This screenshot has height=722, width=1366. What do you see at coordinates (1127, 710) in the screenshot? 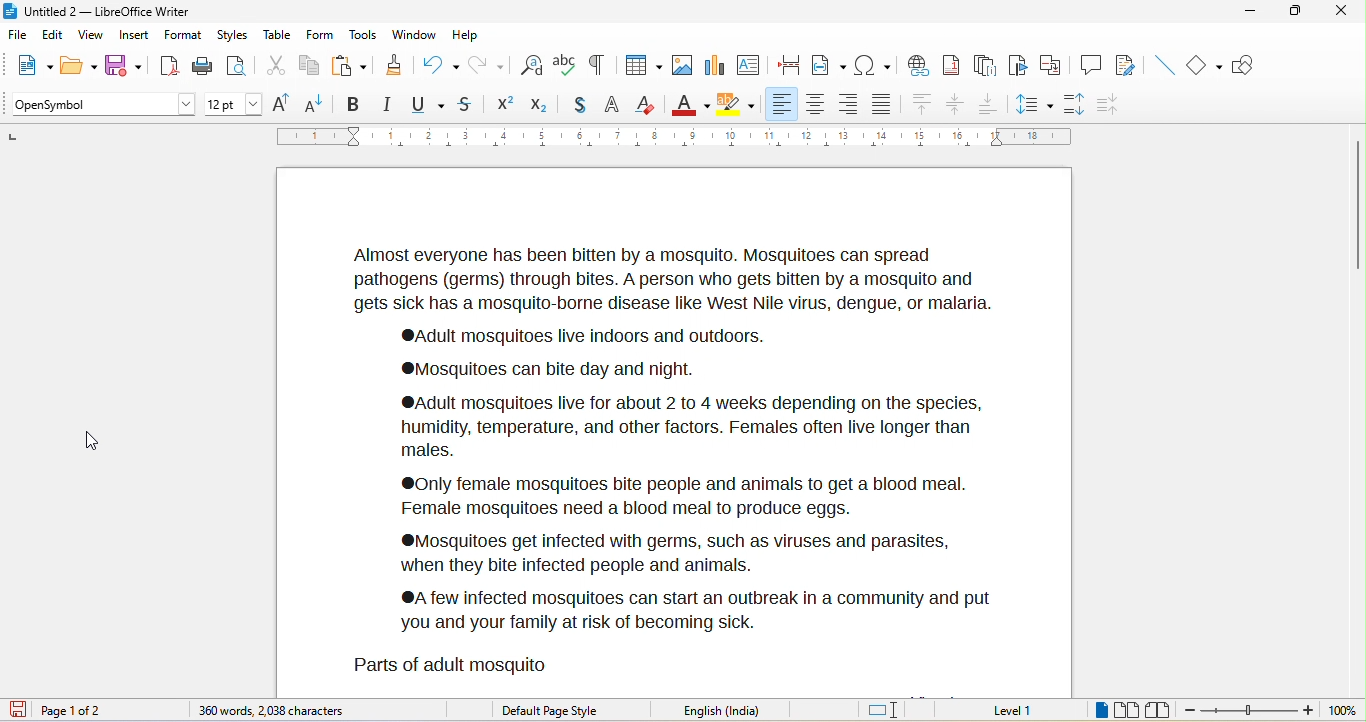
I see `multiple page view` at bounding box center [1127, 710].